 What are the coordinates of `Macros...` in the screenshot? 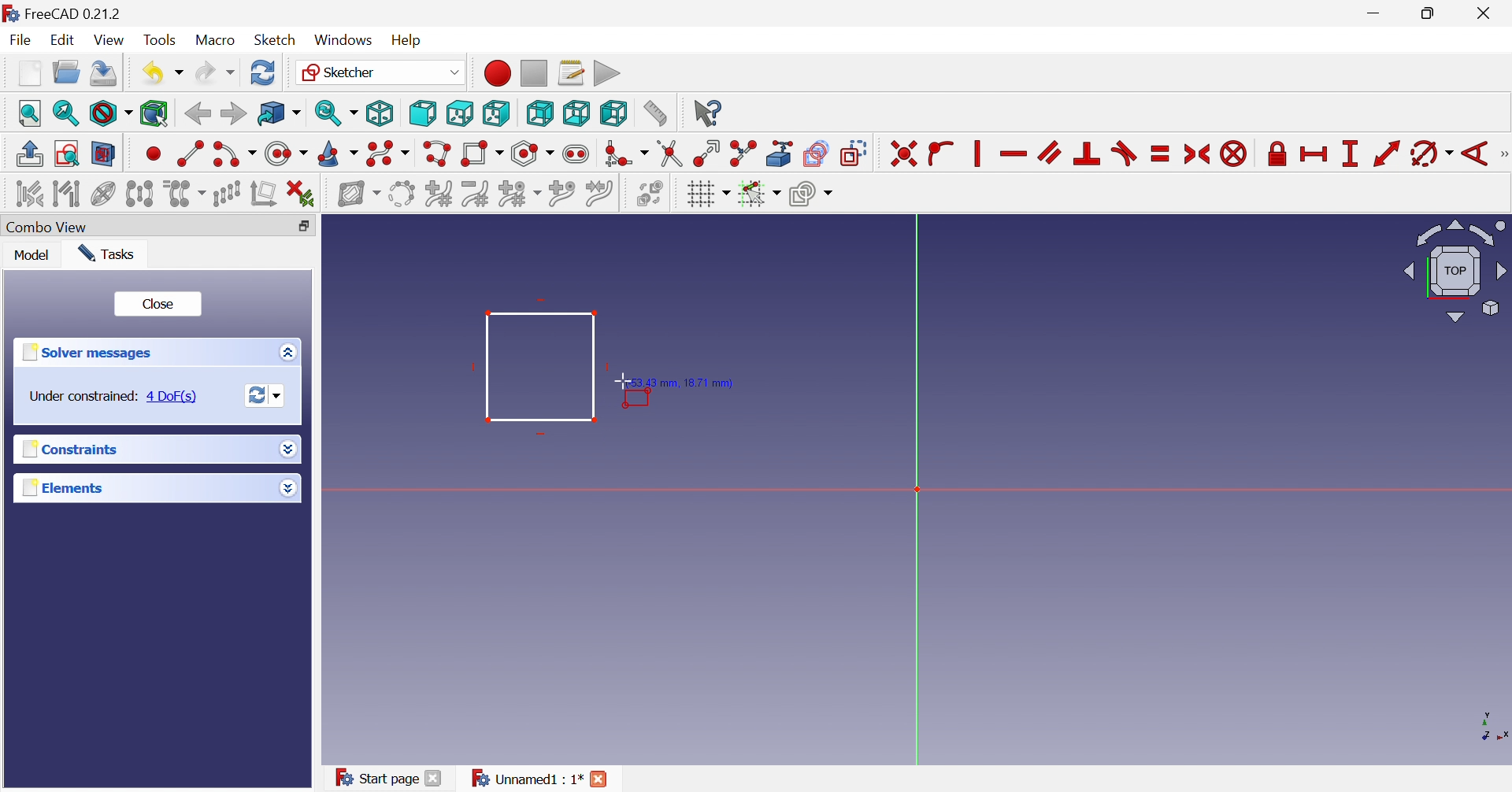 It's located at (571, 72).